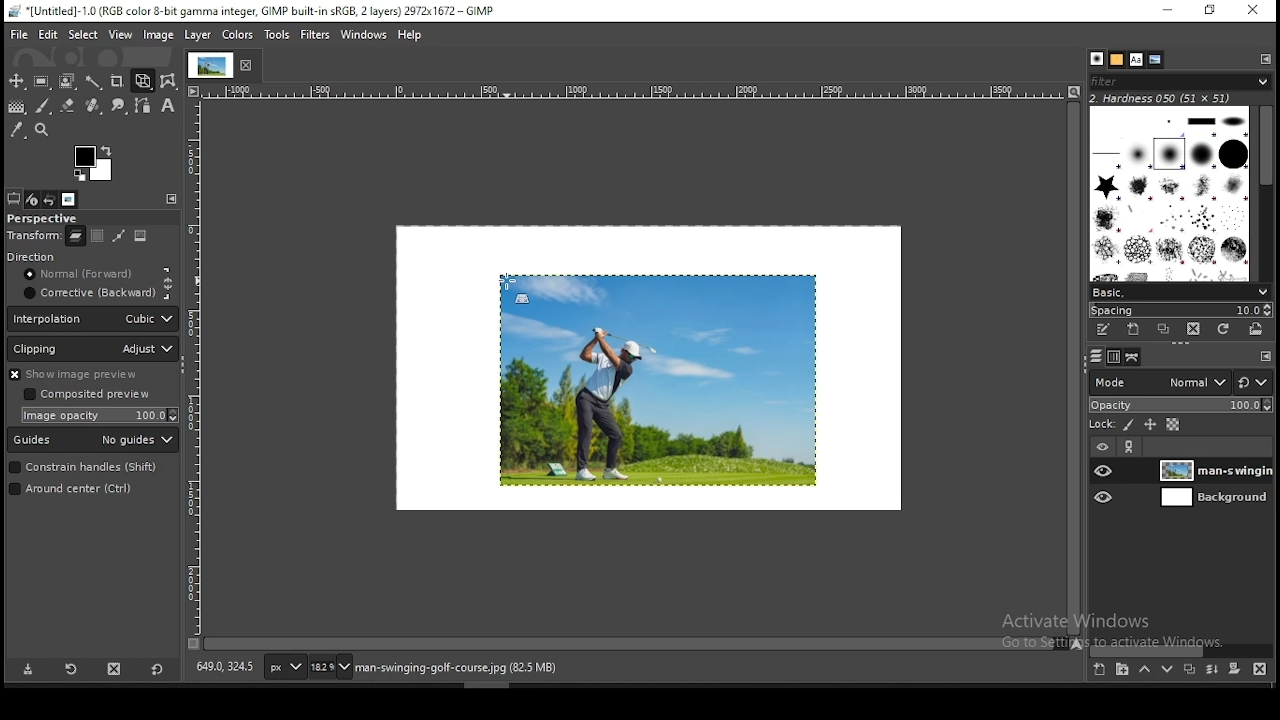 Image resolution: width=1280 pixels, height=720 pixels. Describe the element at coordinates (1212, 470) in the screenshot. I see `layer ` at that location.